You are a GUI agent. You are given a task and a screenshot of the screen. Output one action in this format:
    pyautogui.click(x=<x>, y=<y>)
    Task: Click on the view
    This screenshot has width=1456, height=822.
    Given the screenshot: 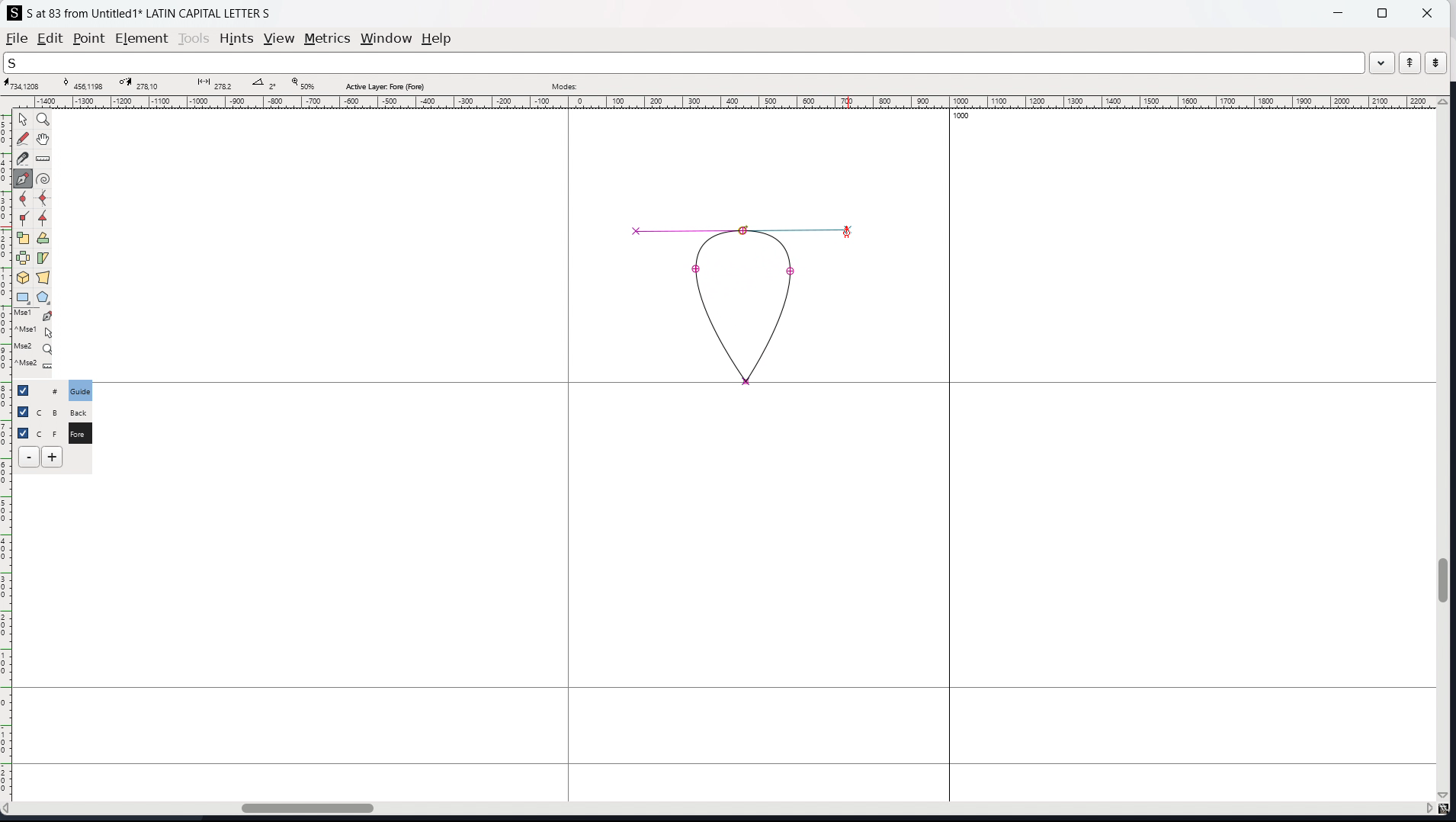 What is the action you would take?
    pyautogui.click(x=279, y=39)
    